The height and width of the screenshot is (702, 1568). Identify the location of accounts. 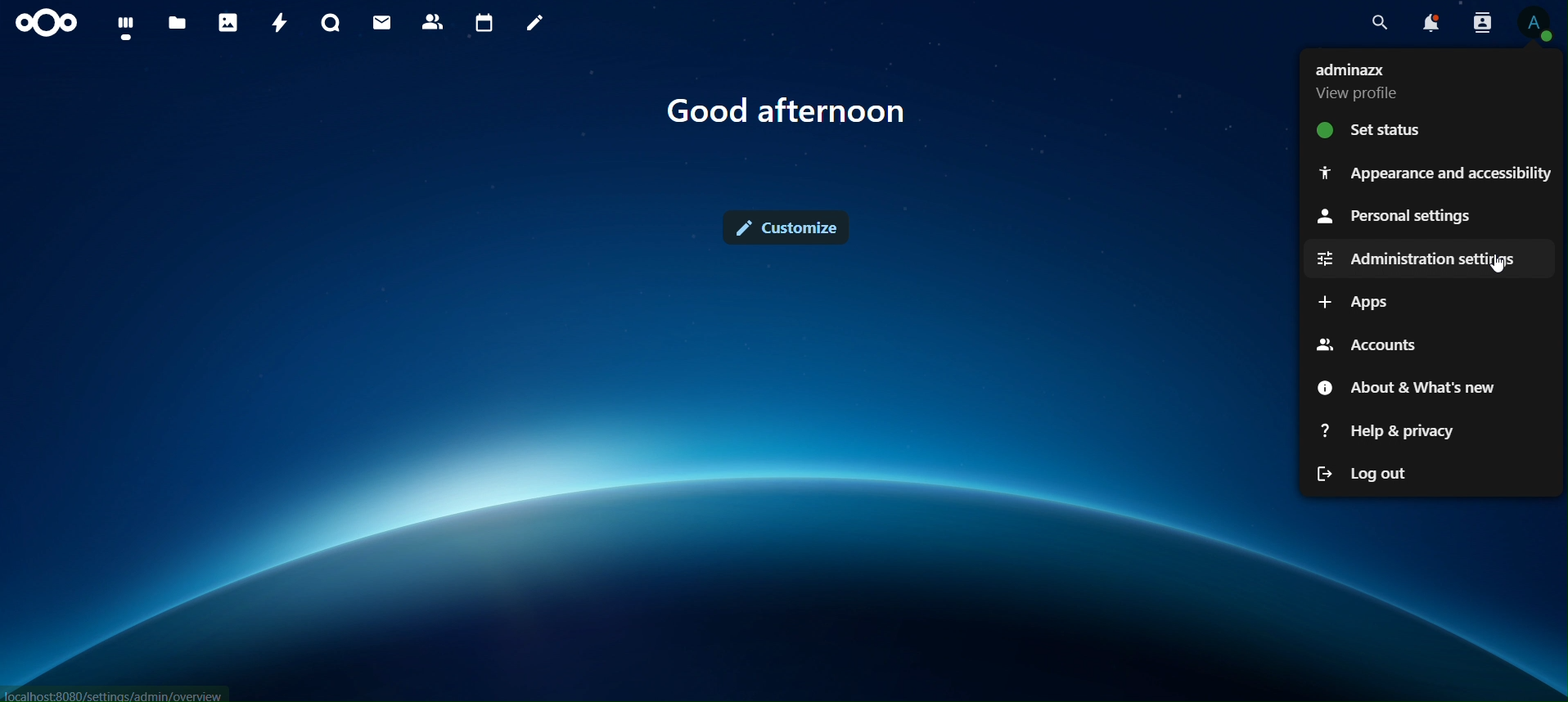
(1370, 346).